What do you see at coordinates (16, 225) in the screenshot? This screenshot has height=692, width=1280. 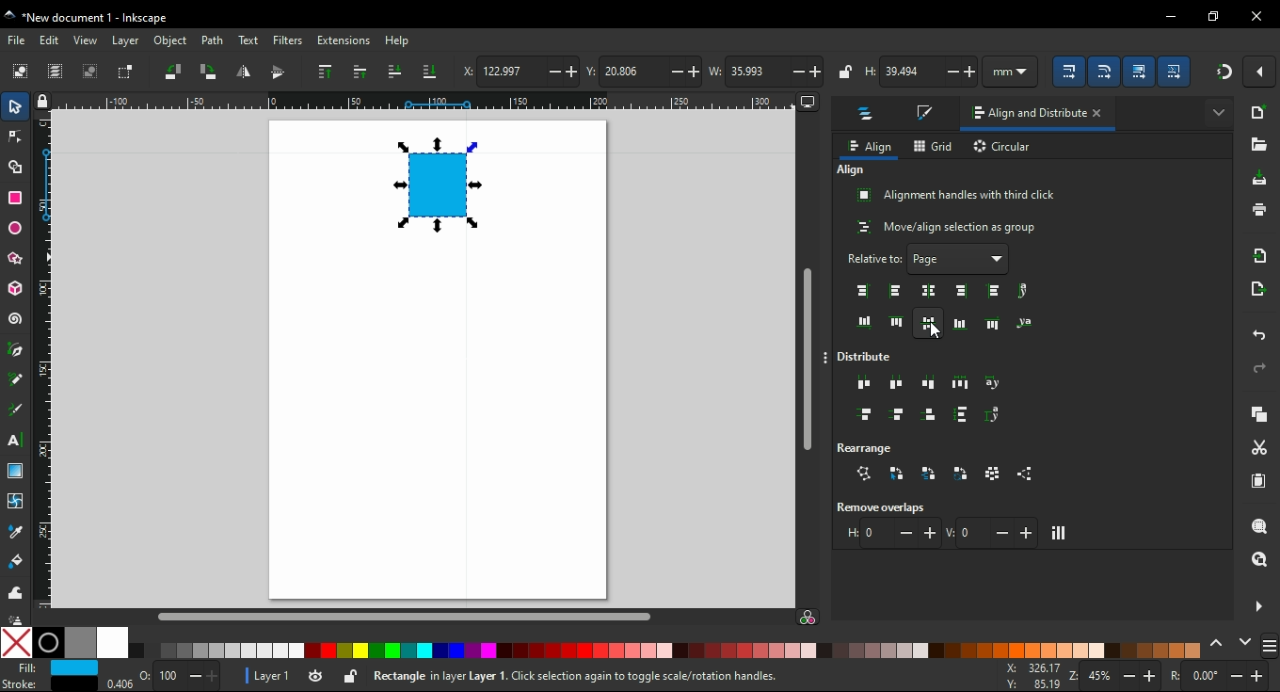 I see `ellipse/arc tool` at bounding box center [16, 225].